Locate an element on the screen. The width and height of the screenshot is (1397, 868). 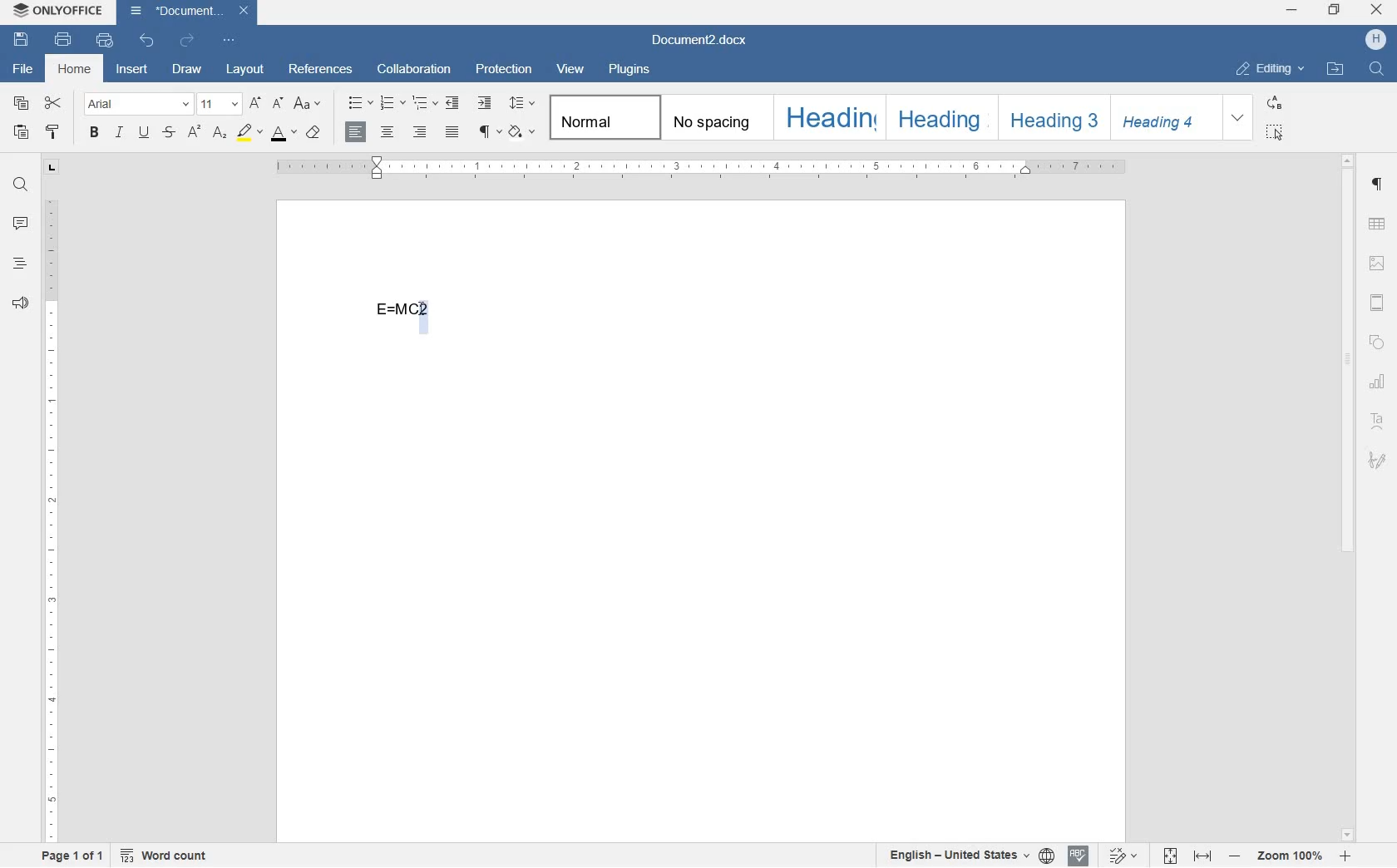
strikethrough is located at coordinates (170, 133).